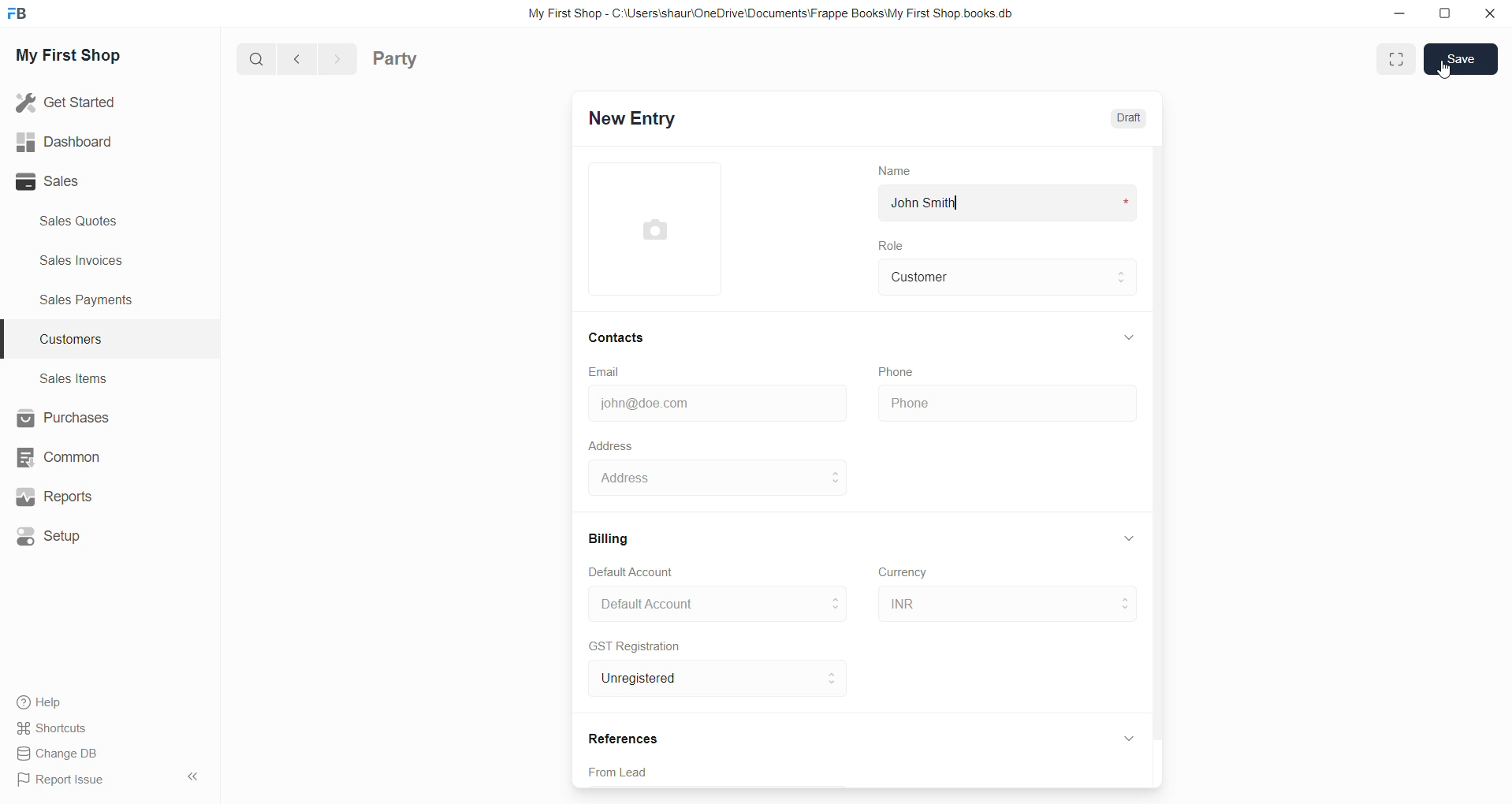 This screenshot has width=1512, height=804. Describe the element at coordinates (907, 574) in the screenshot. I see `Currency` at that location.